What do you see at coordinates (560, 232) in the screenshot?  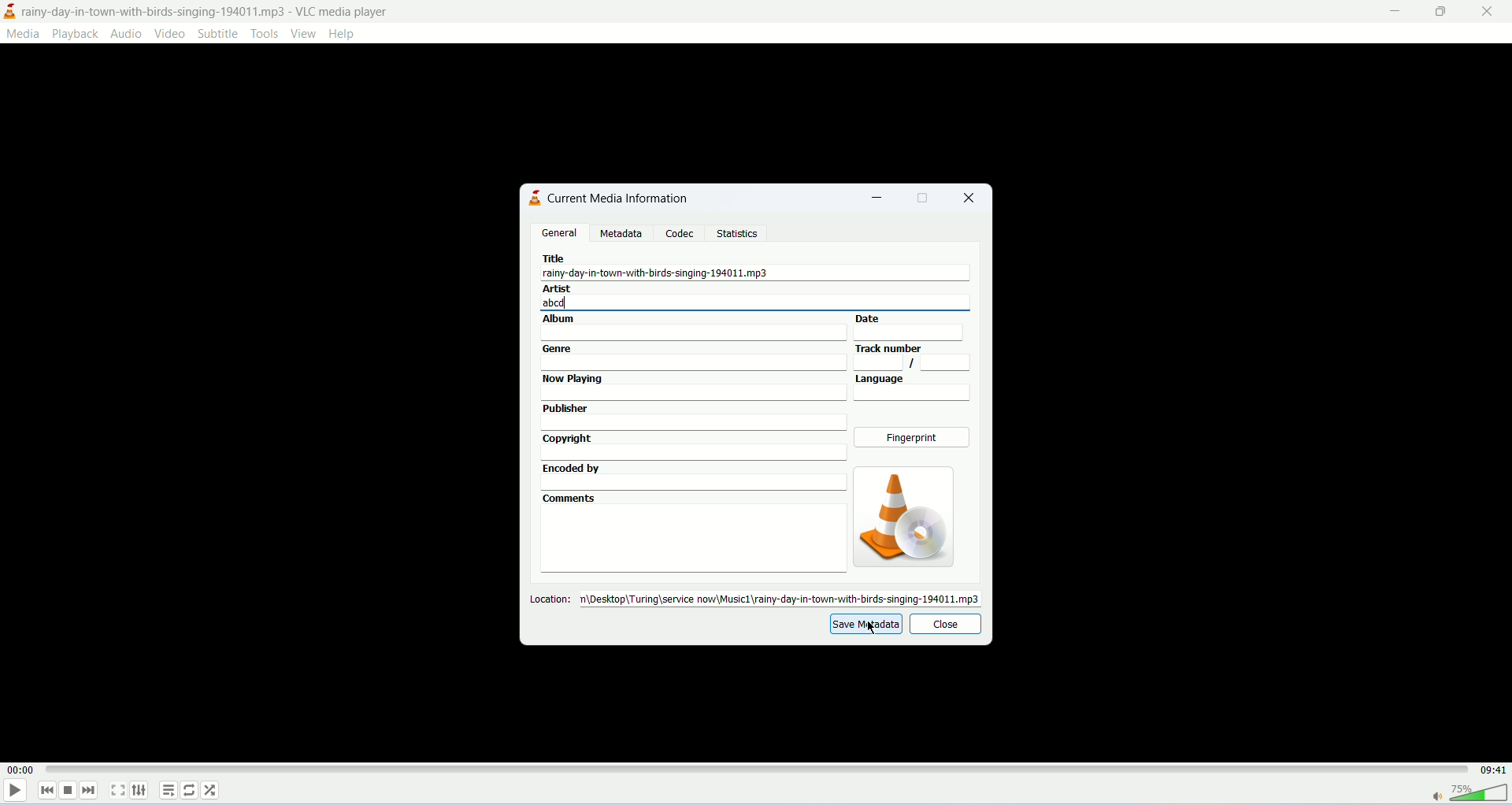 I see `general` at bounding box center [560, 232].